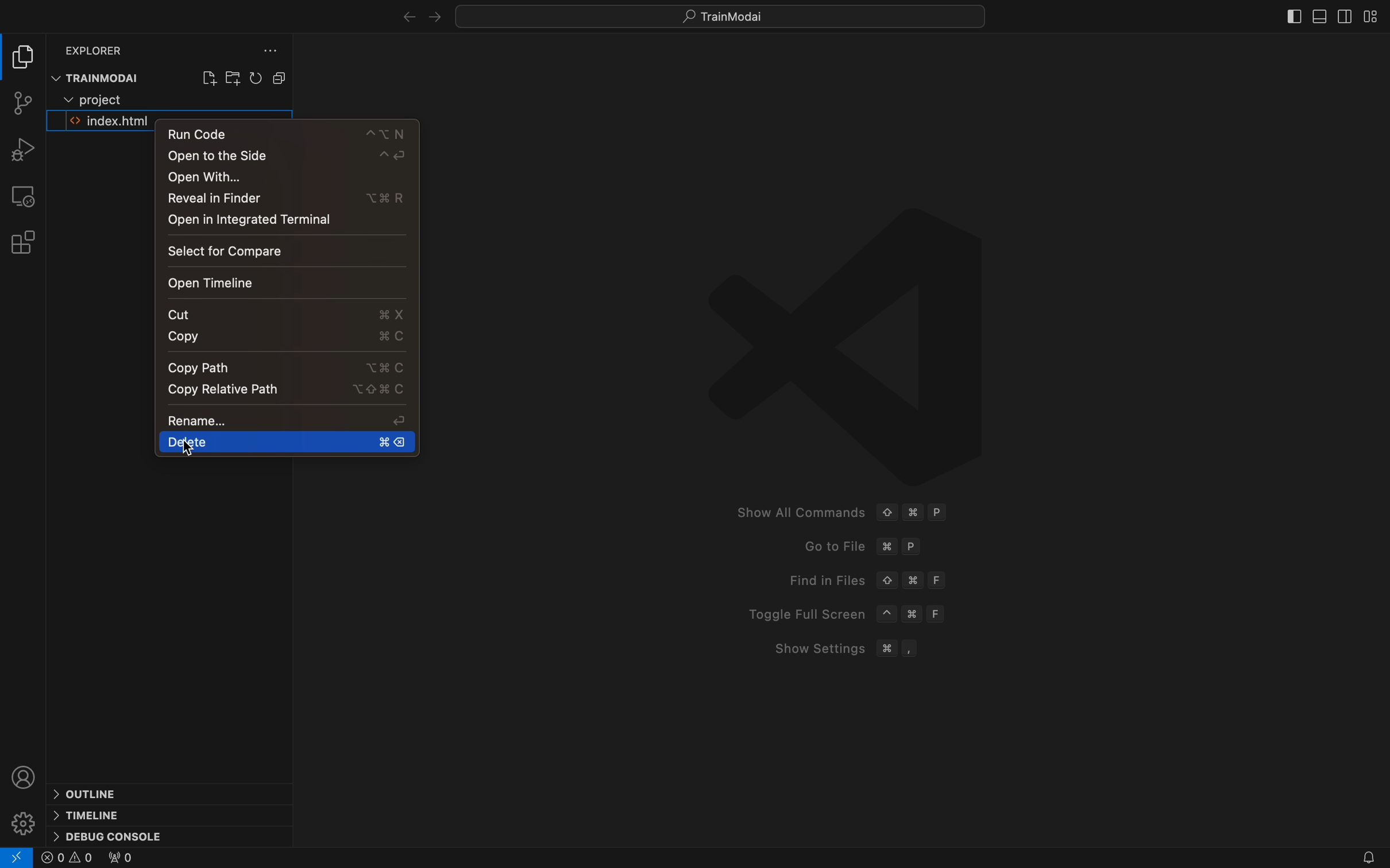 Image resolution: width=1390 pixels, height=868 pixels. What do you see at coordinates (230, 390) in the screenshot?
I see `copy path` at bounding box center [230, 390].